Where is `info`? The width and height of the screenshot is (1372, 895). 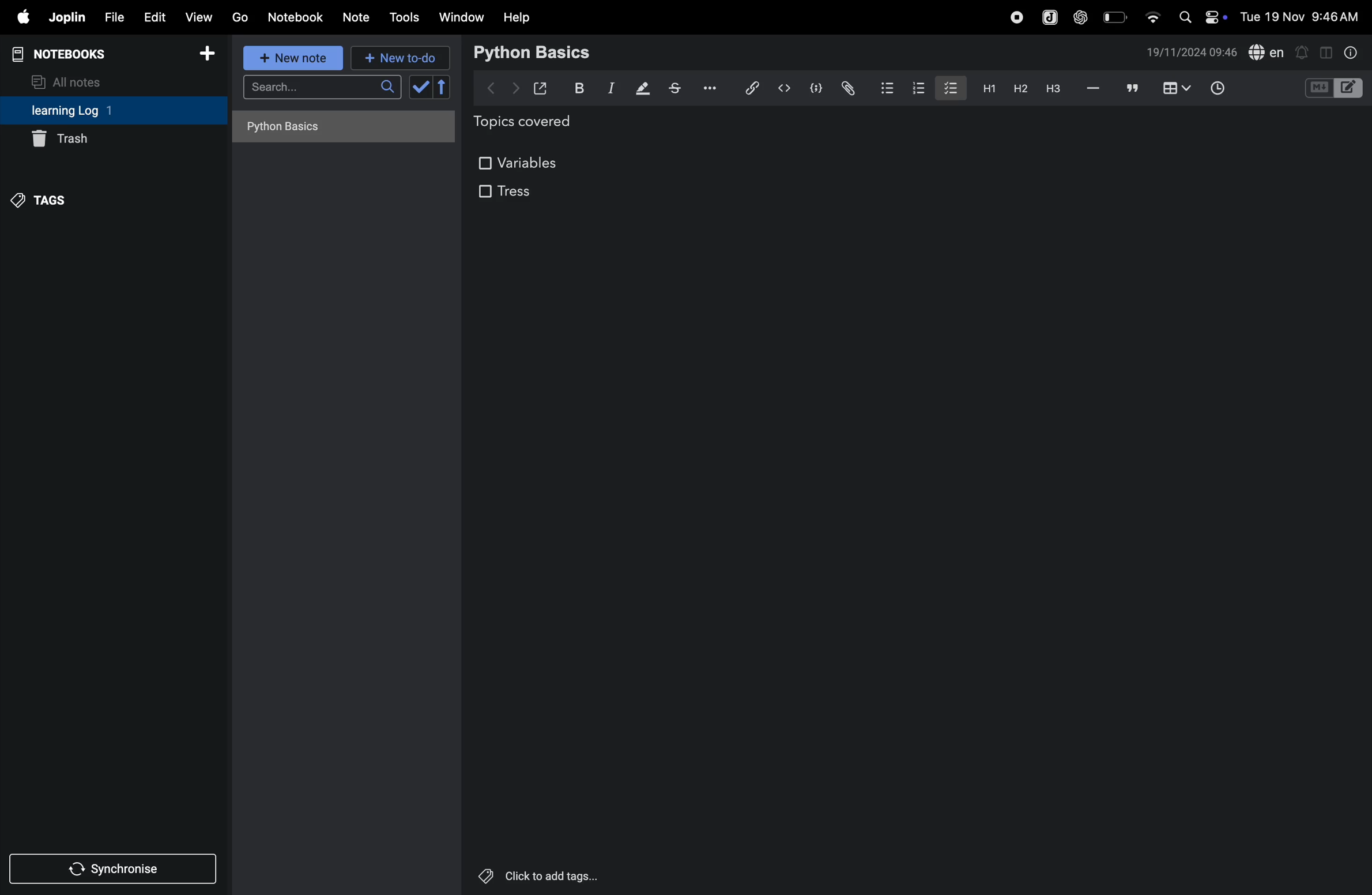 info is located at coordinates (1349, 52).